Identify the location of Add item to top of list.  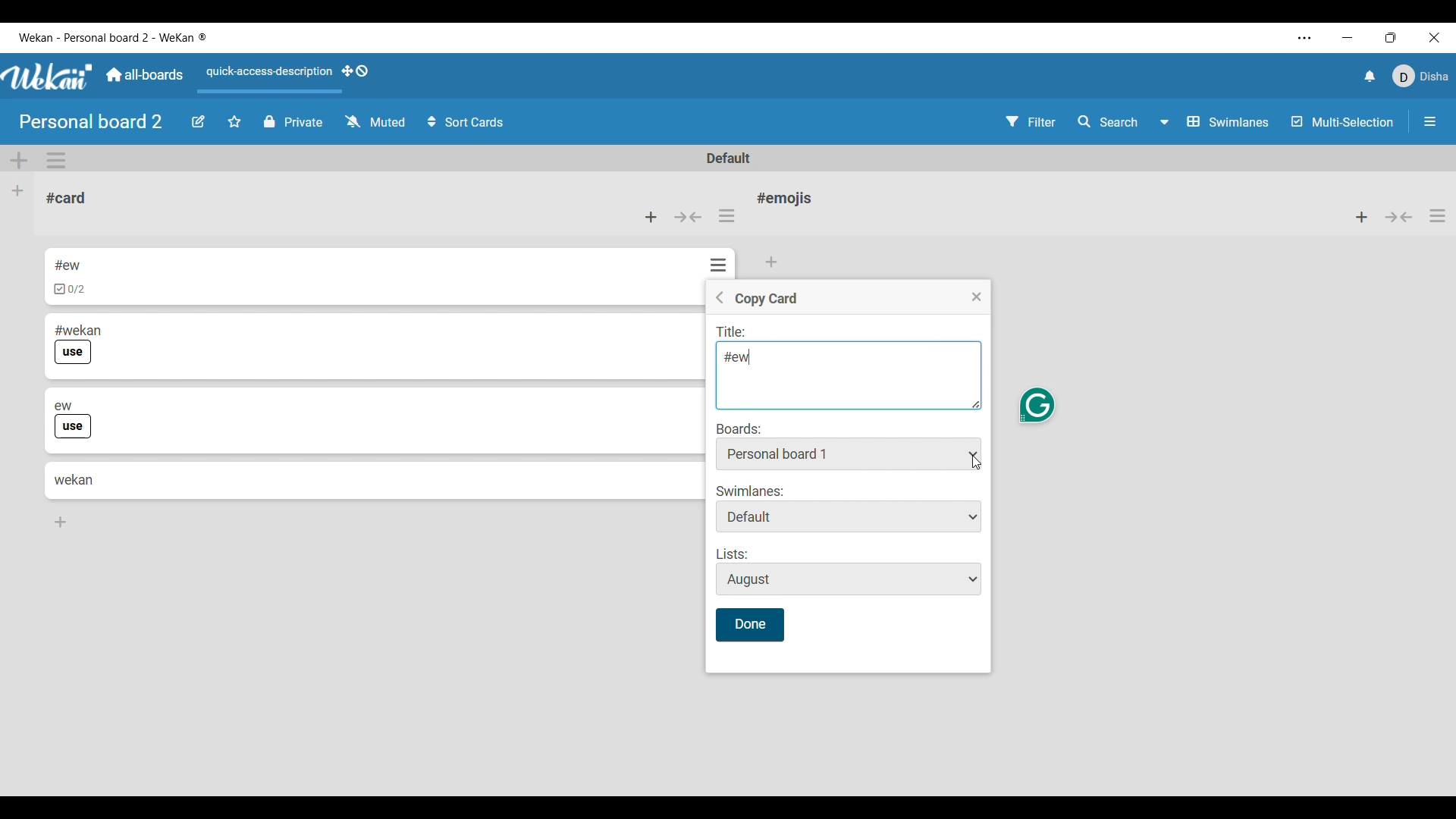
(1362, 217).